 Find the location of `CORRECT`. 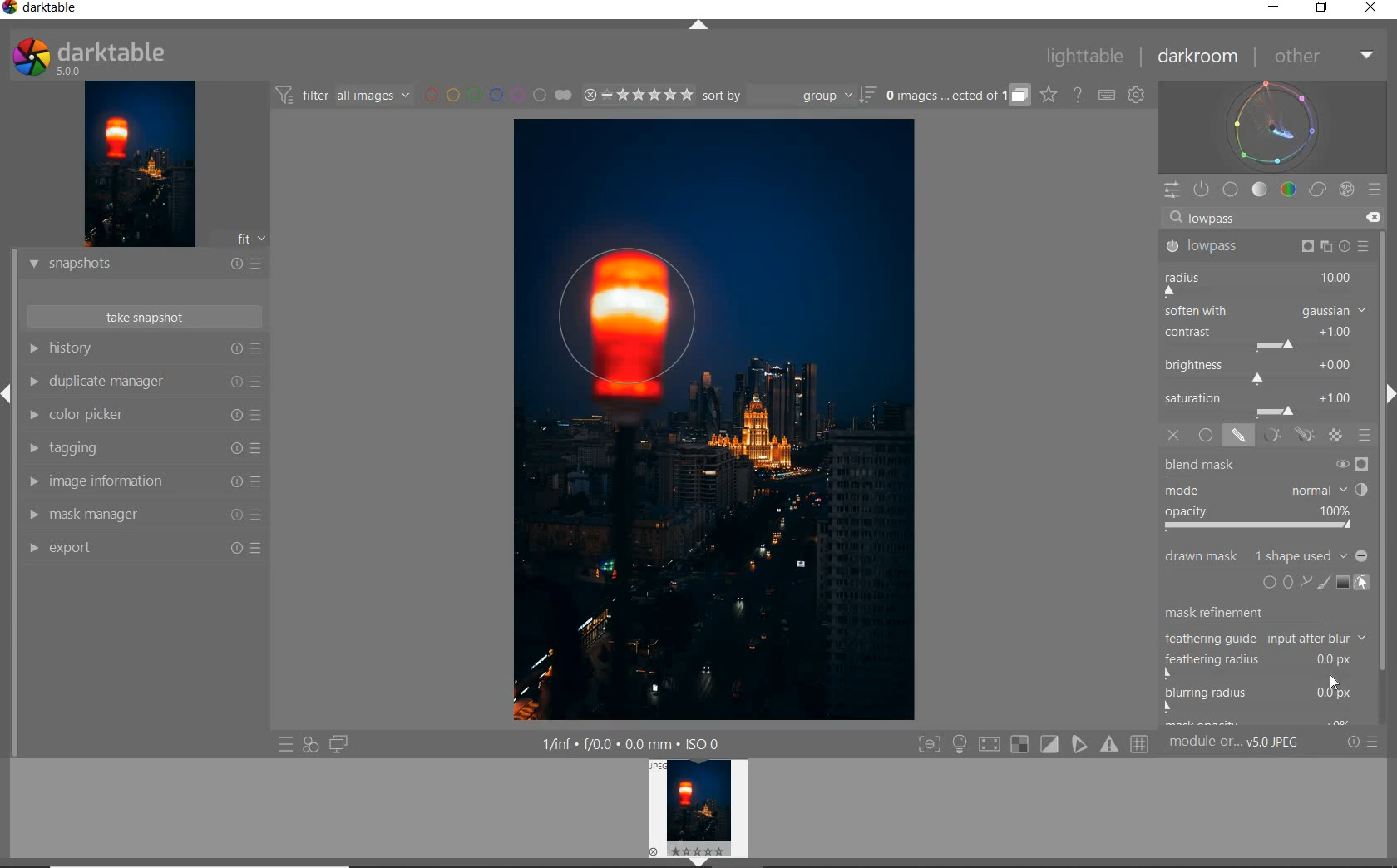

CORRECT is located at coordinates (1317, 190).